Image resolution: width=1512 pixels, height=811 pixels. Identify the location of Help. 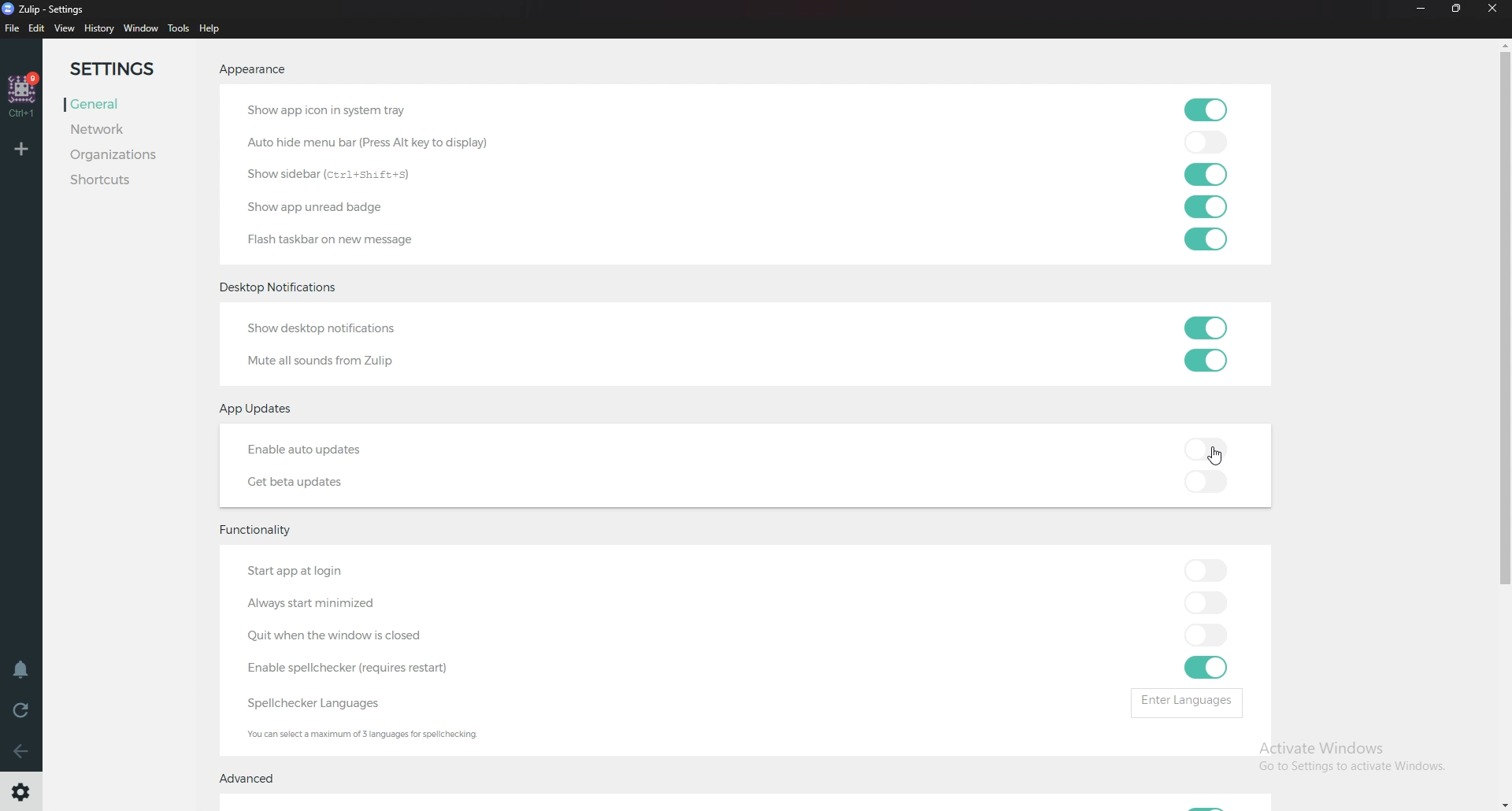
(211, 29).